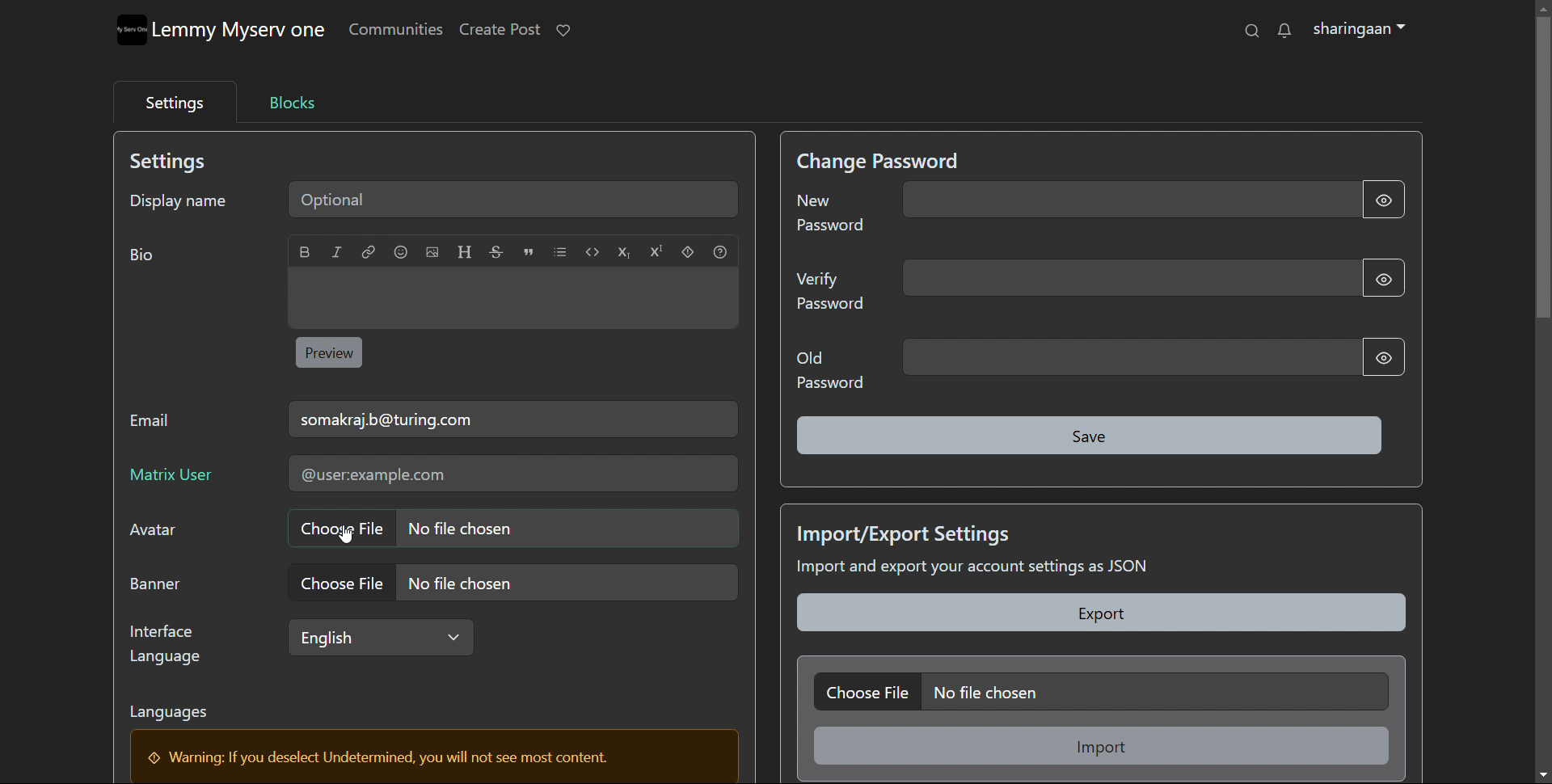 The width and height of the screenshot is (1552, 784). What do you see at coordinates (179, 198) in the screenshot?
I see `display name` at bounding box center [179, 198].